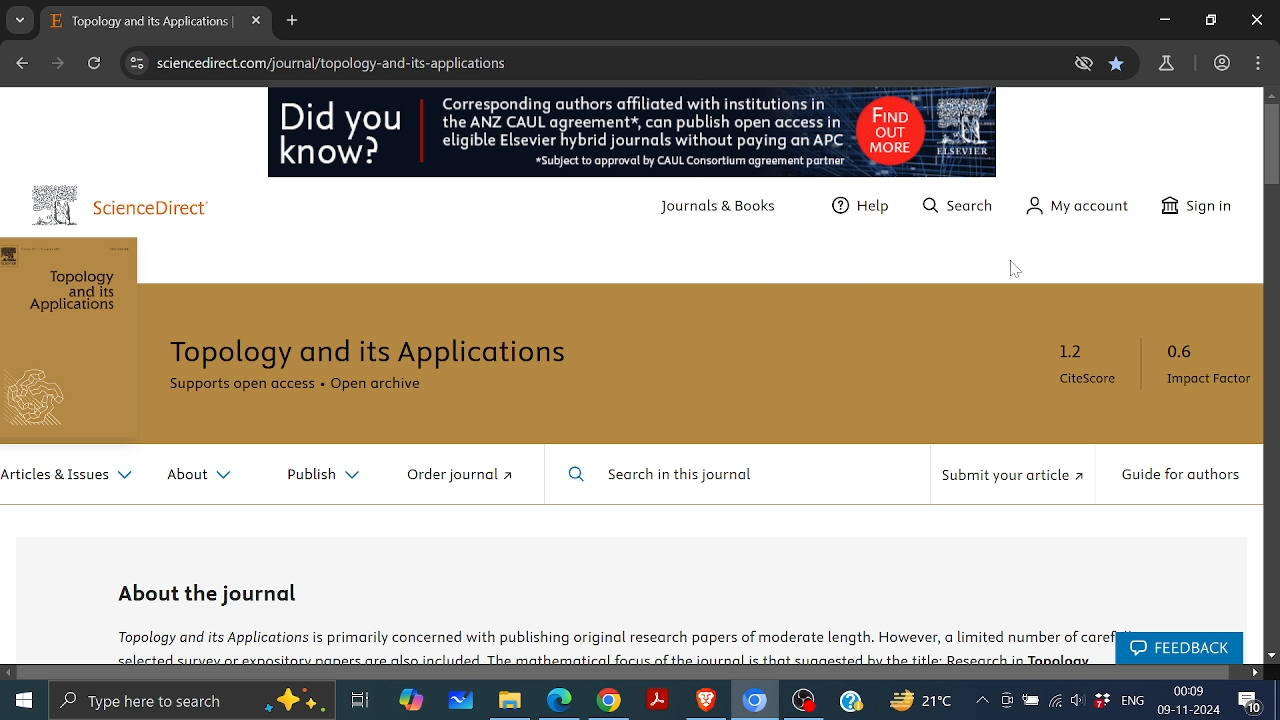  What do you see at coordinates (663, 476) in the screenshot?
I see `search in this journal` at bounding box center [663, 476].